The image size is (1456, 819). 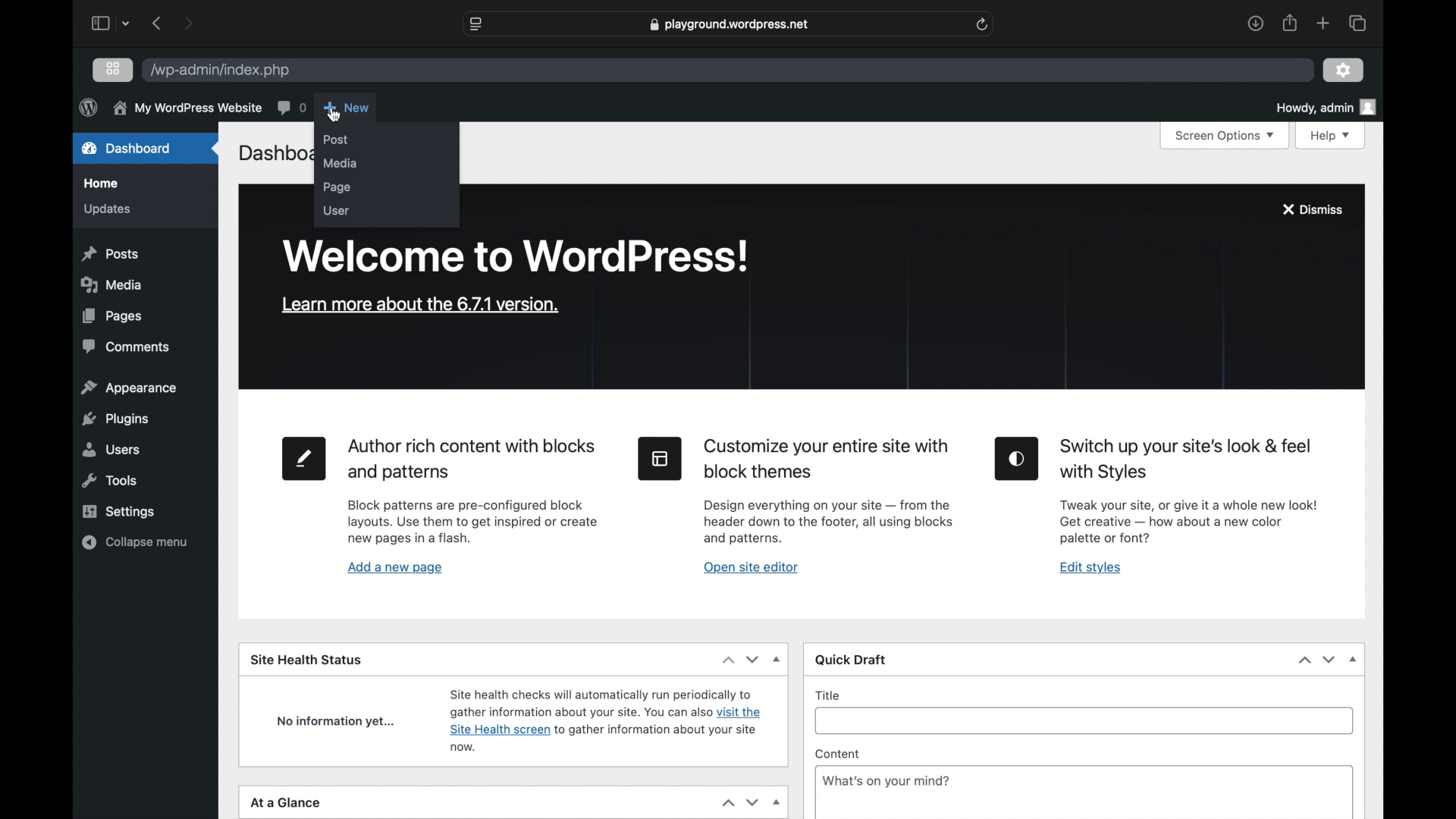 I want to click on help, so click(x=1331, y=136).